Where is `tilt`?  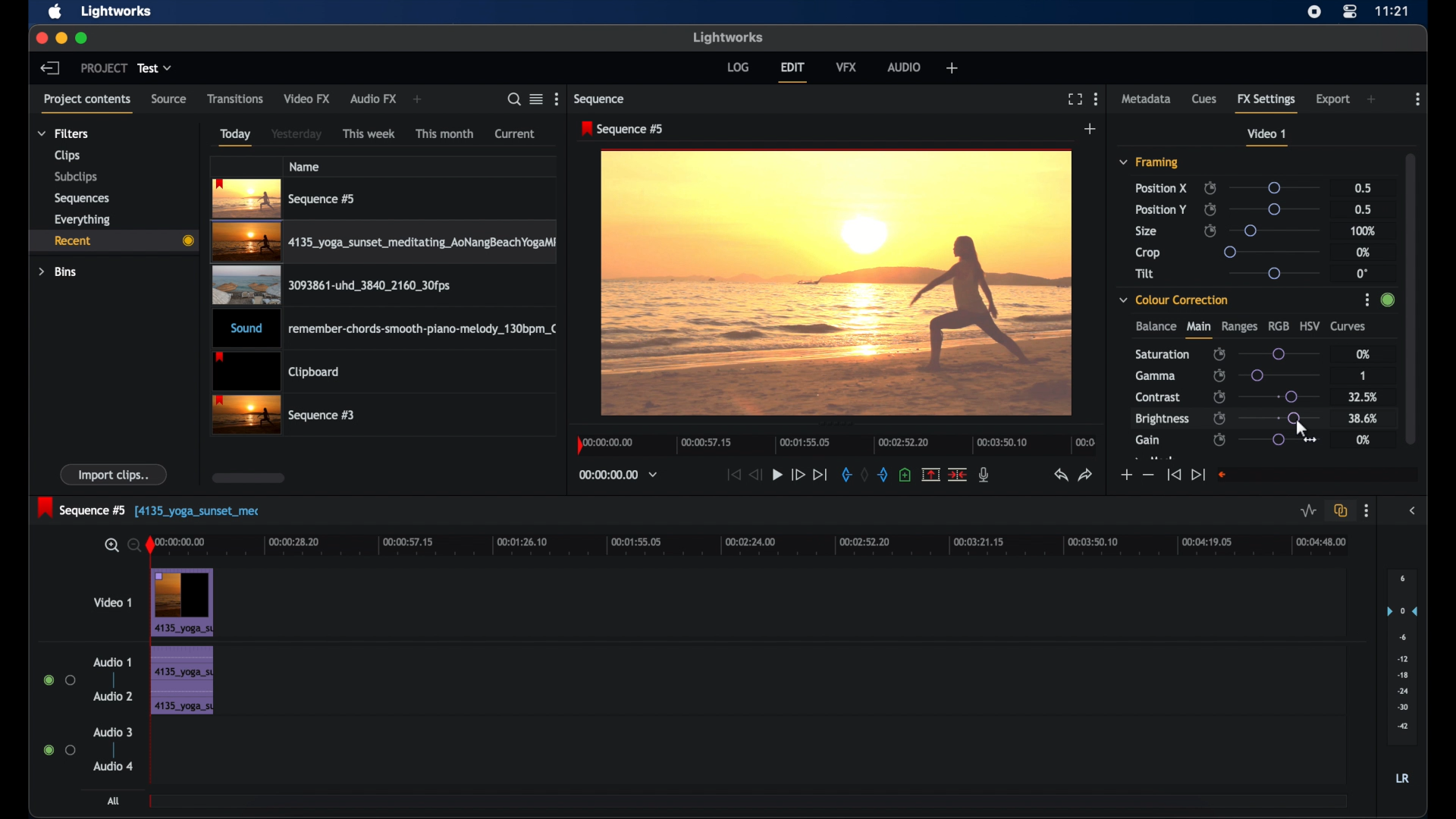
tilt is located at coordinates (1145, 274).